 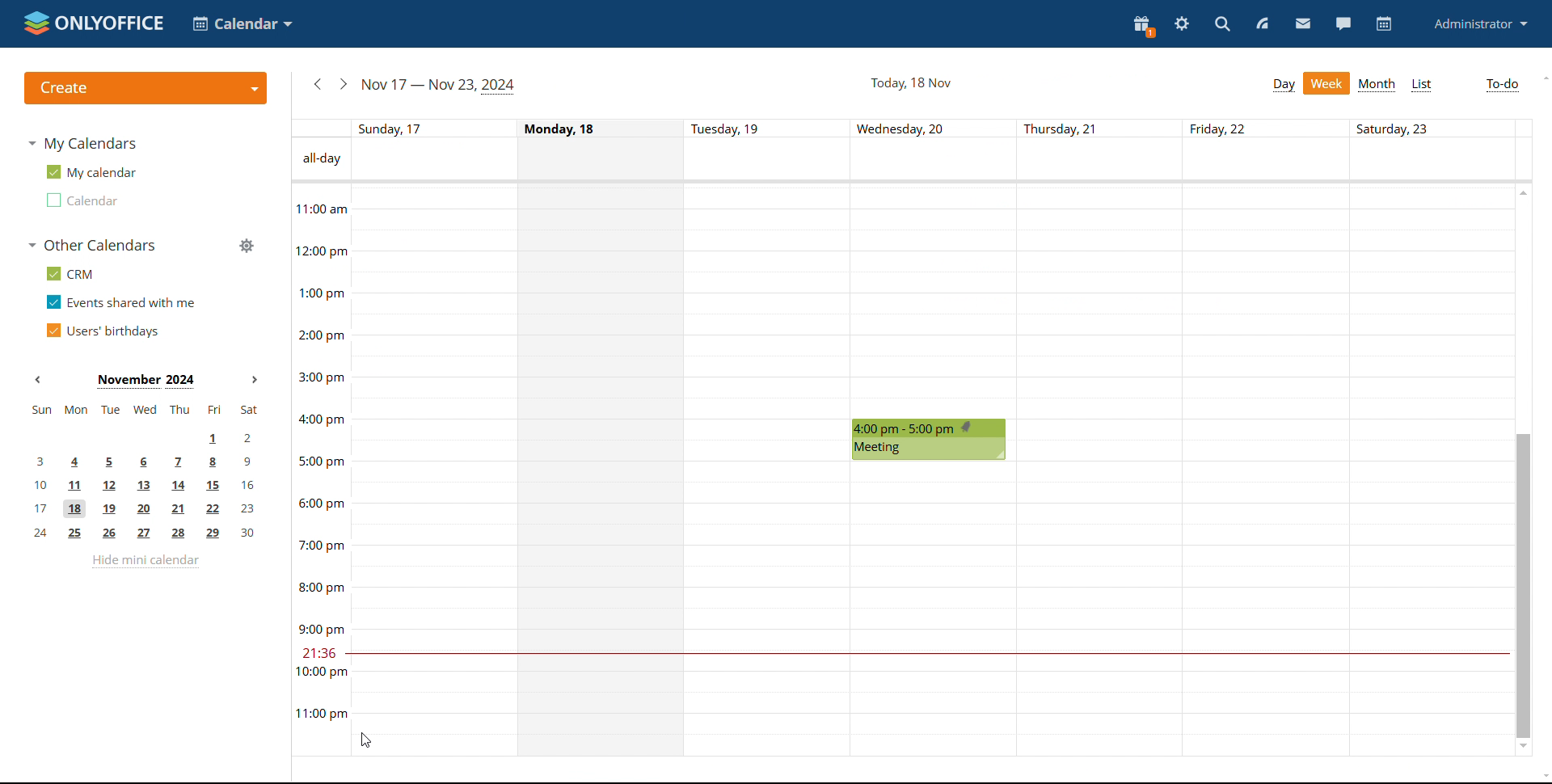 I want to click on feed, so click(x=1265, y=24).